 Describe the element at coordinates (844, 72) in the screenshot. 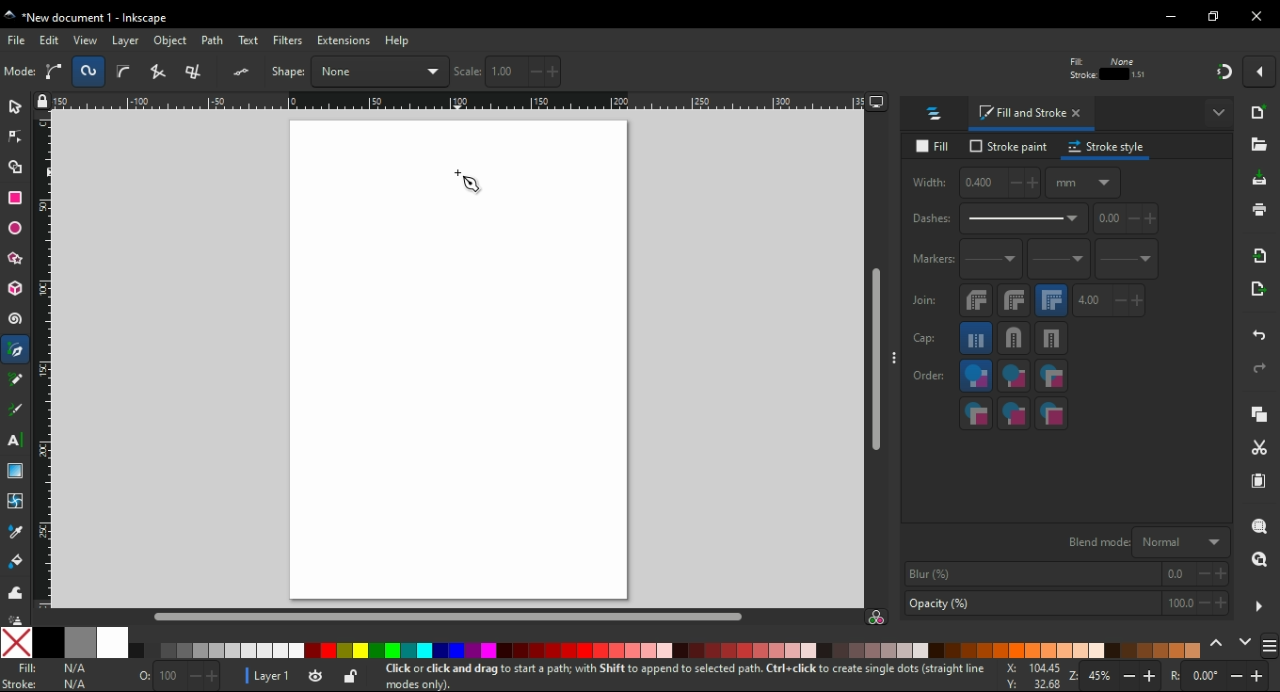

I see `lock` at that location.